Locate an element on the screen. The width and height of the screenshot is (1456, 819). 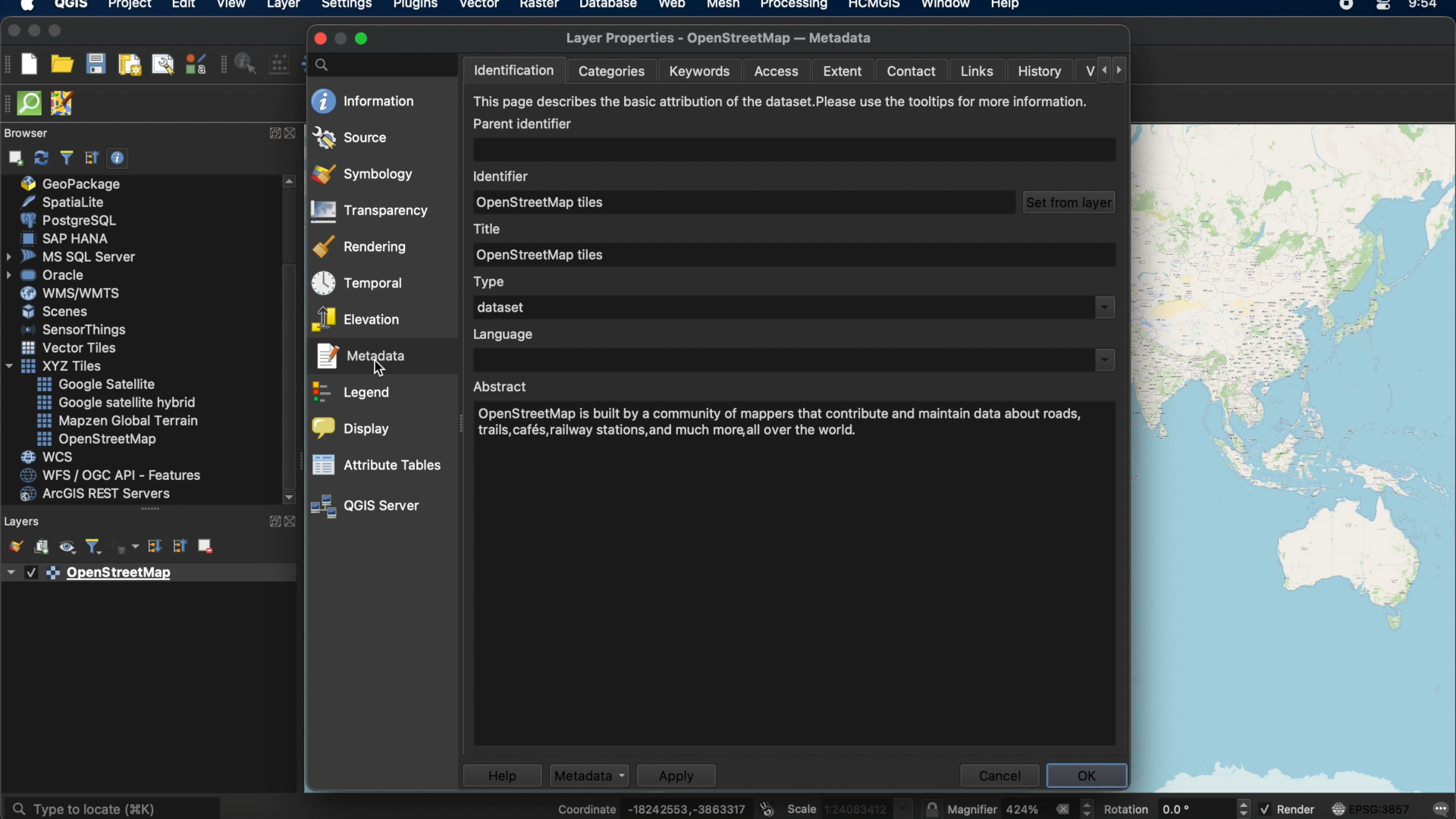
current csr is located at coordinates (1372, 808).